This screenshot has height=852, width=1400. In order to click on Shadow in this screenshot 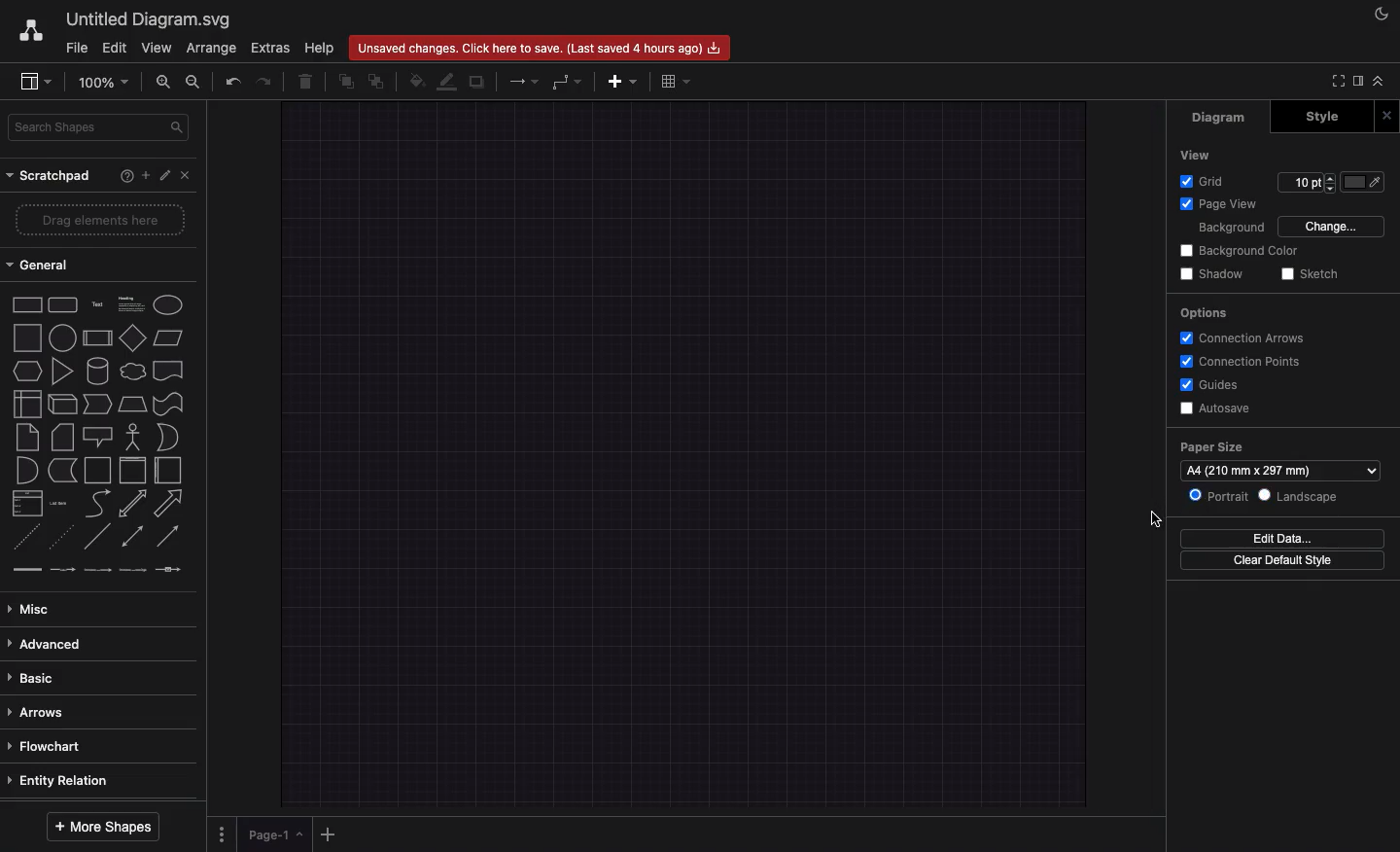, I will do `click(1214, 275)`.